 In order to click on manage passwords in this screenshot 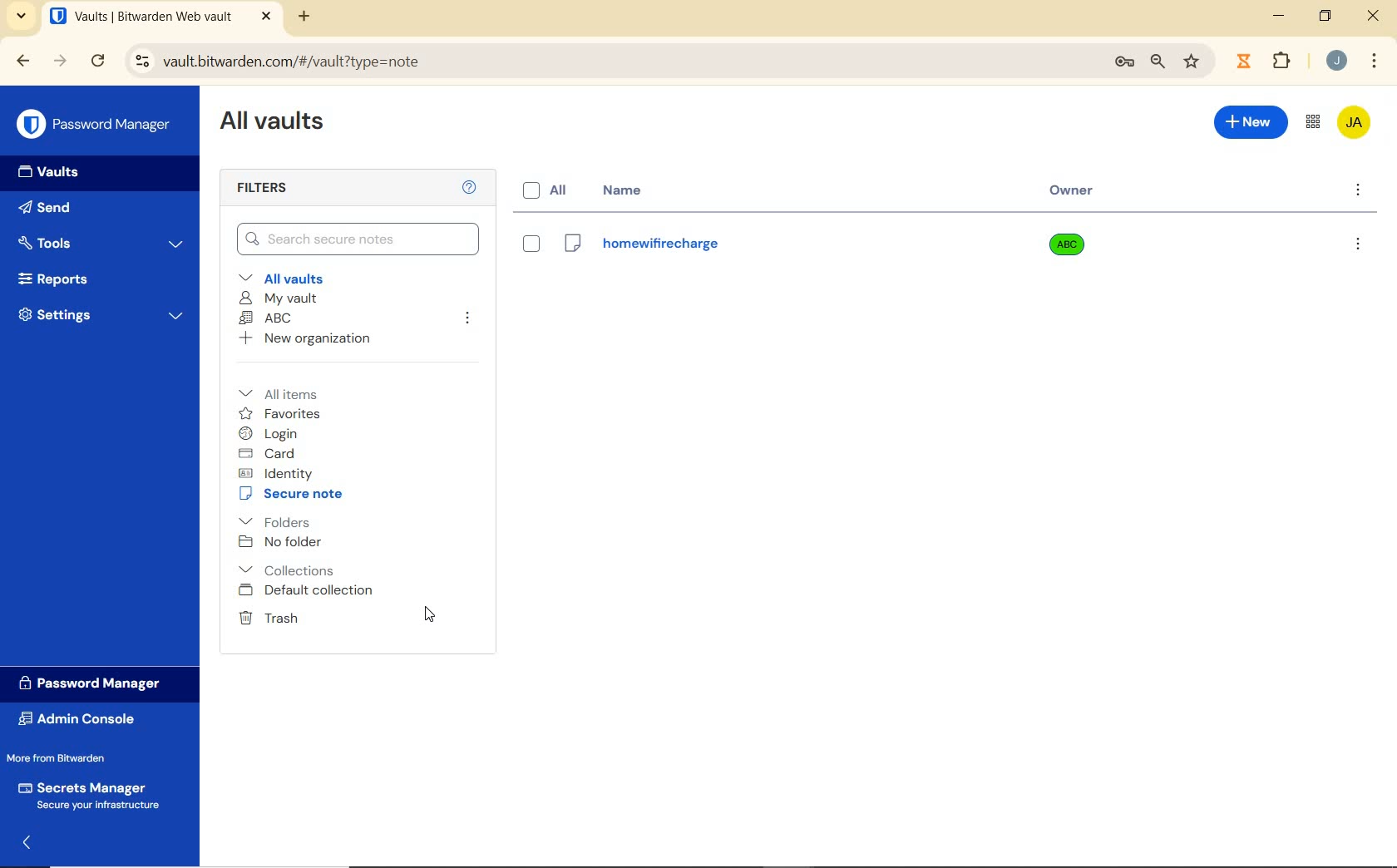, I will do `click(1124, 65)`.